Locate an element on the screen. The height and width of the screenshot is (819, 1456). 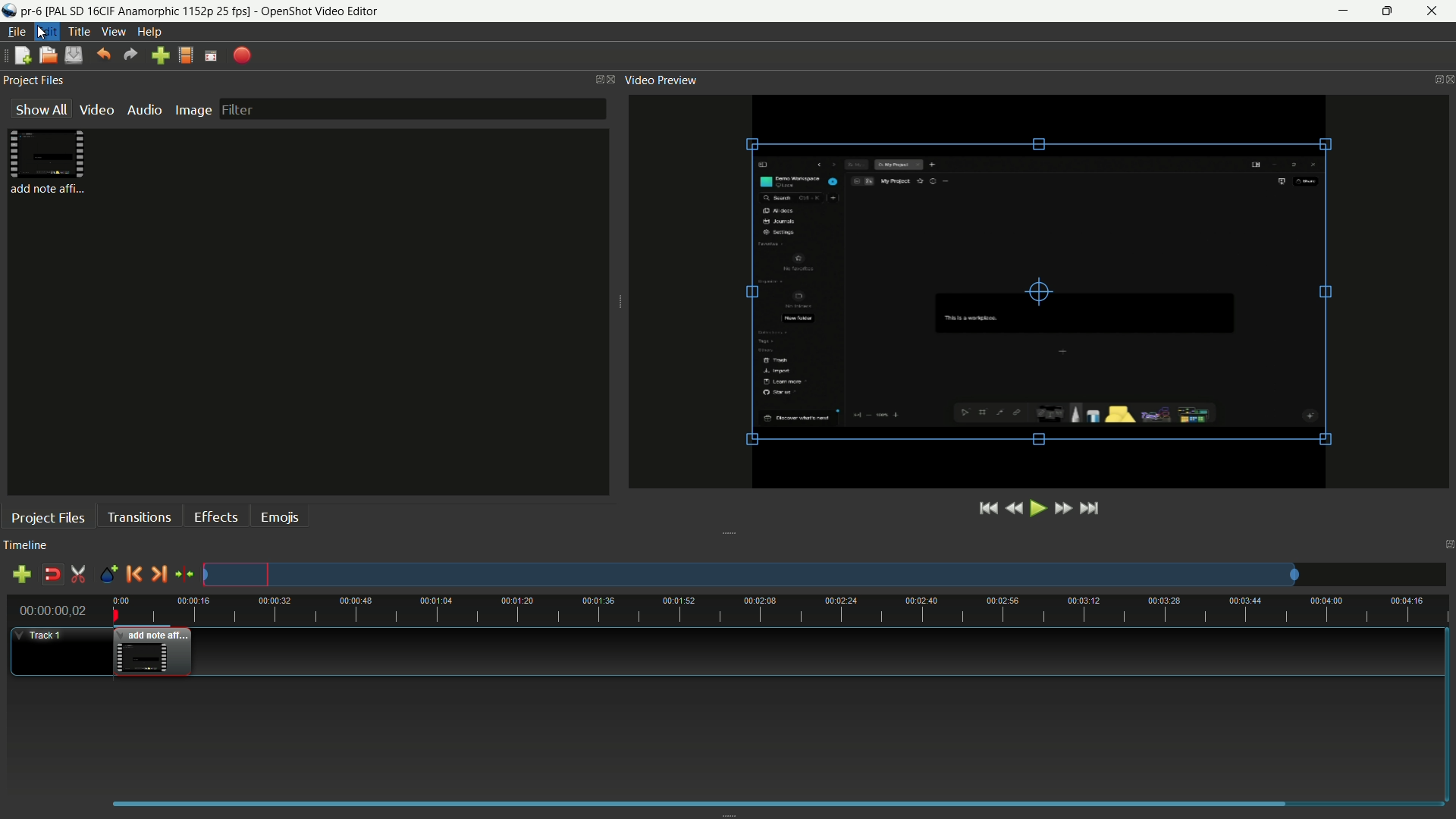
close video preview is located at coordinates (1450, 80).